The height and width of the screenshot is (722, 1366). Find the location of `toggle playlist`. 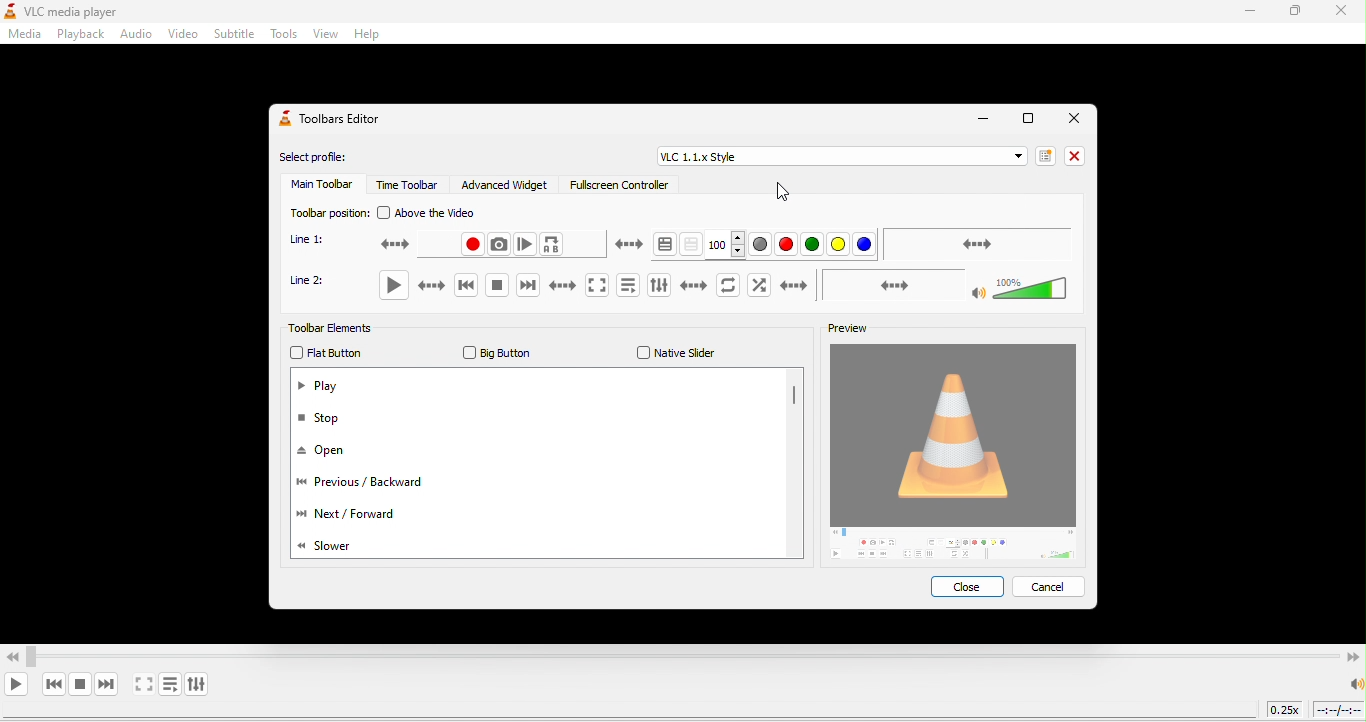

toggle playlist is located at coordinates (171, 684).